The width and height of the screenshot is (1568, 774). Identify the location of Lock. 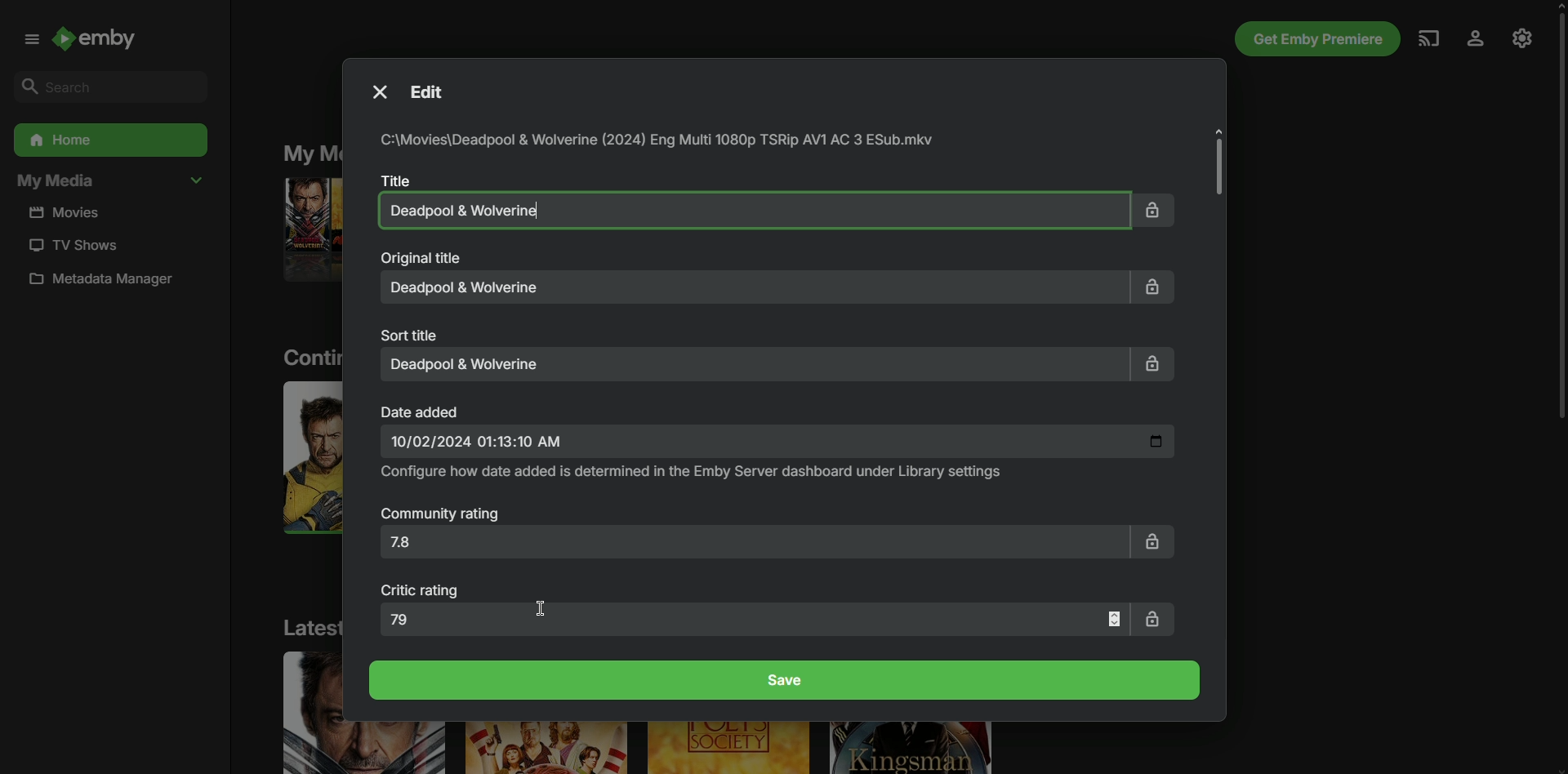
(1158, 287).